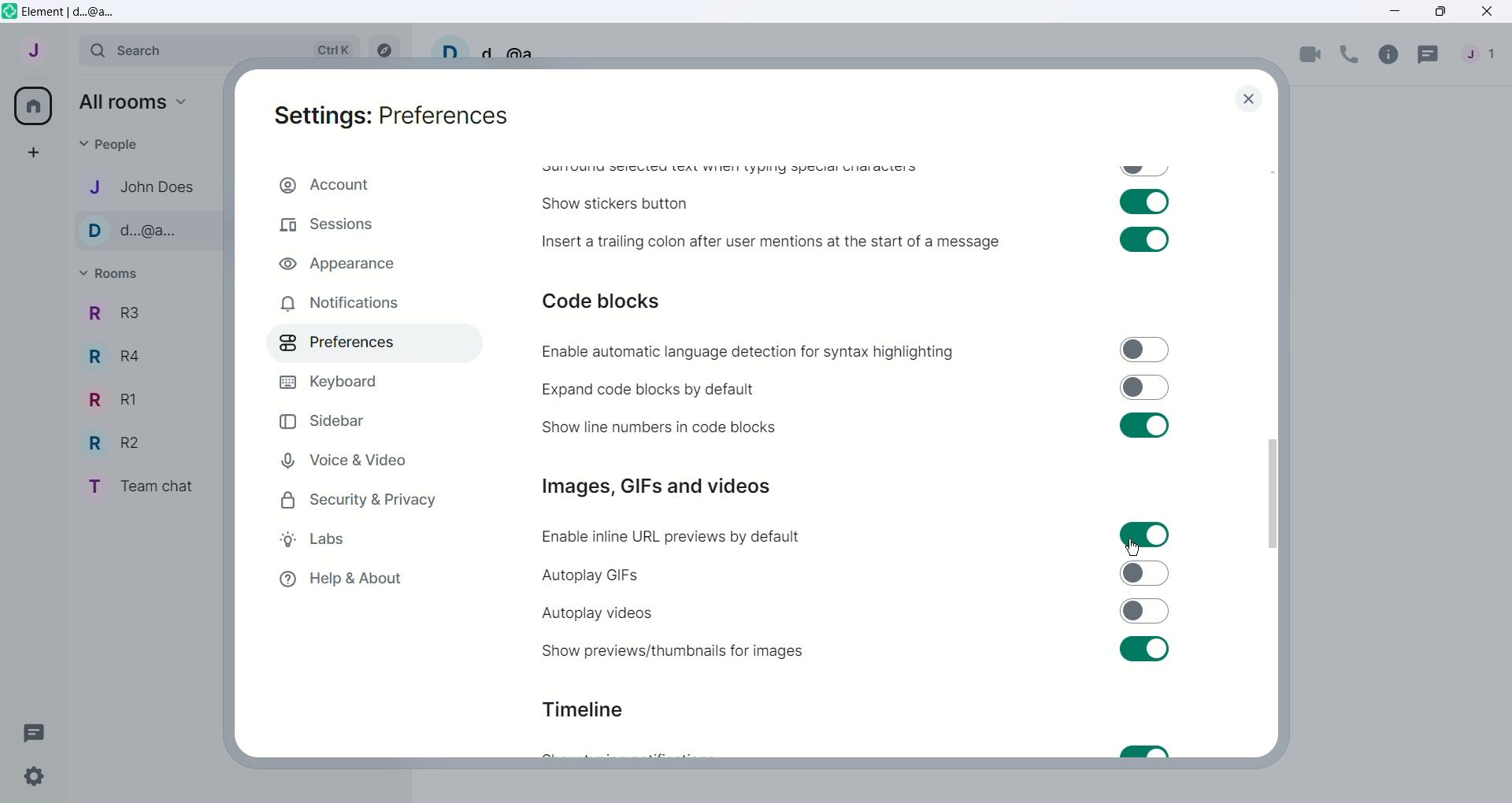 This screenshot has height=803, width=1512. I want to click on Toggle switch off for expand code blocks by default, so click(1145, 387).